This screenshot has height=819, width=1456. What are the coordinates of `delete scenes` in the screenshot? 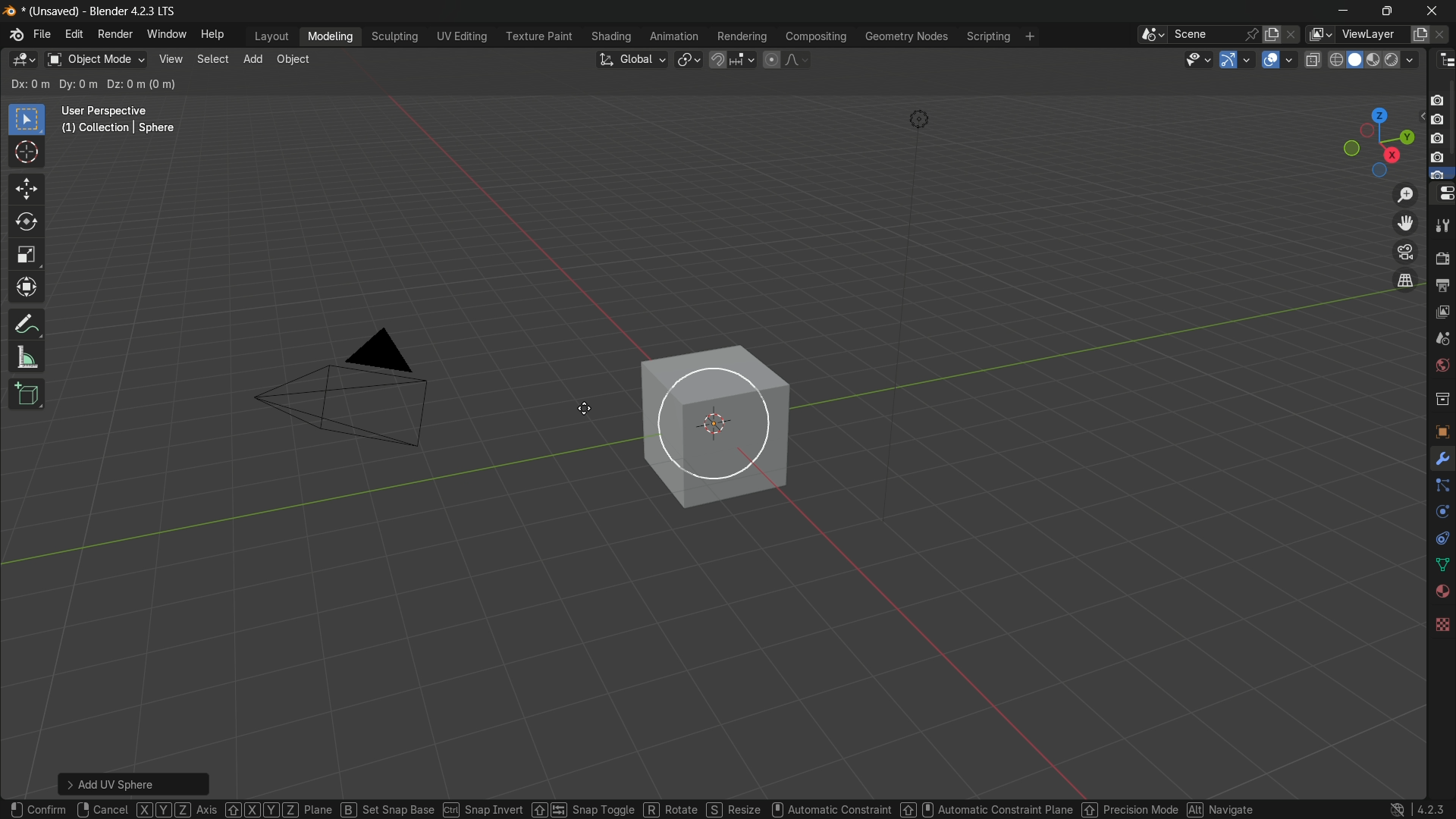 It's located at (1295, 36).